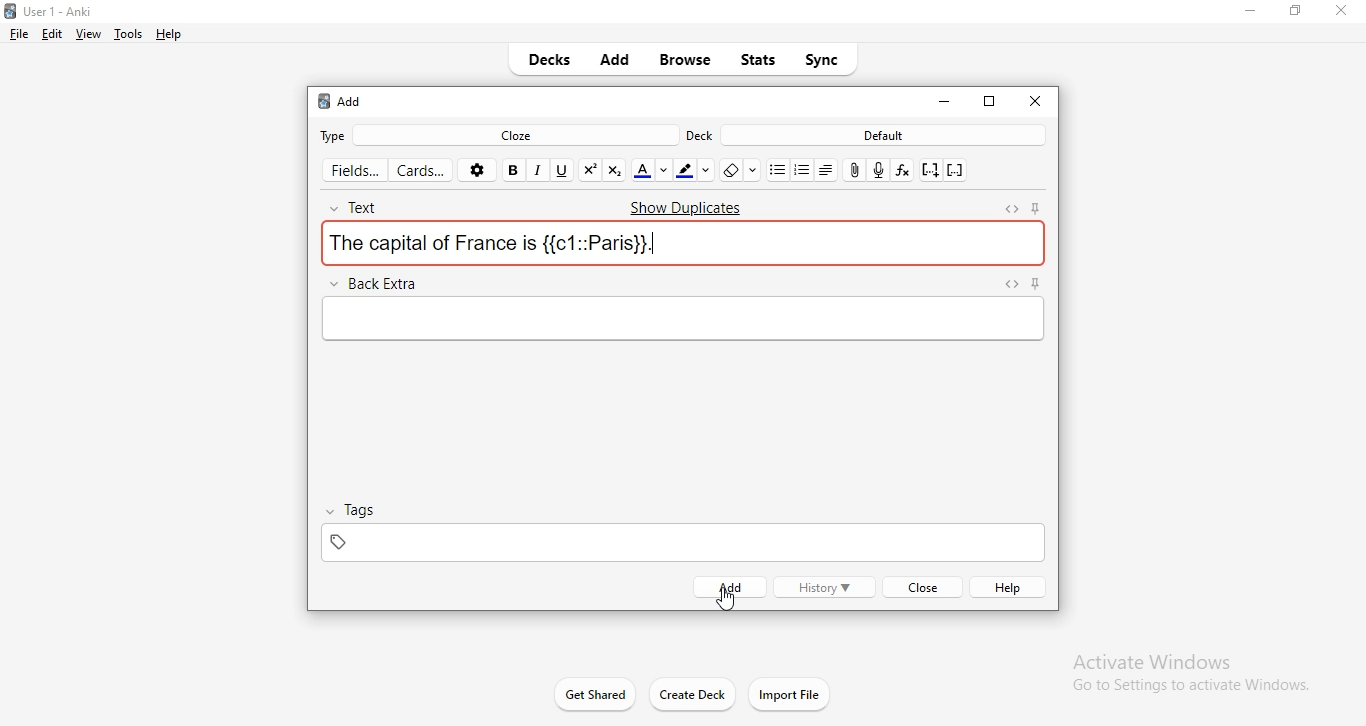 This screenshot has height=726, width=1366. Describe the element at coordinates (378, 281) in the screenshot. I see `back extra` at that location.